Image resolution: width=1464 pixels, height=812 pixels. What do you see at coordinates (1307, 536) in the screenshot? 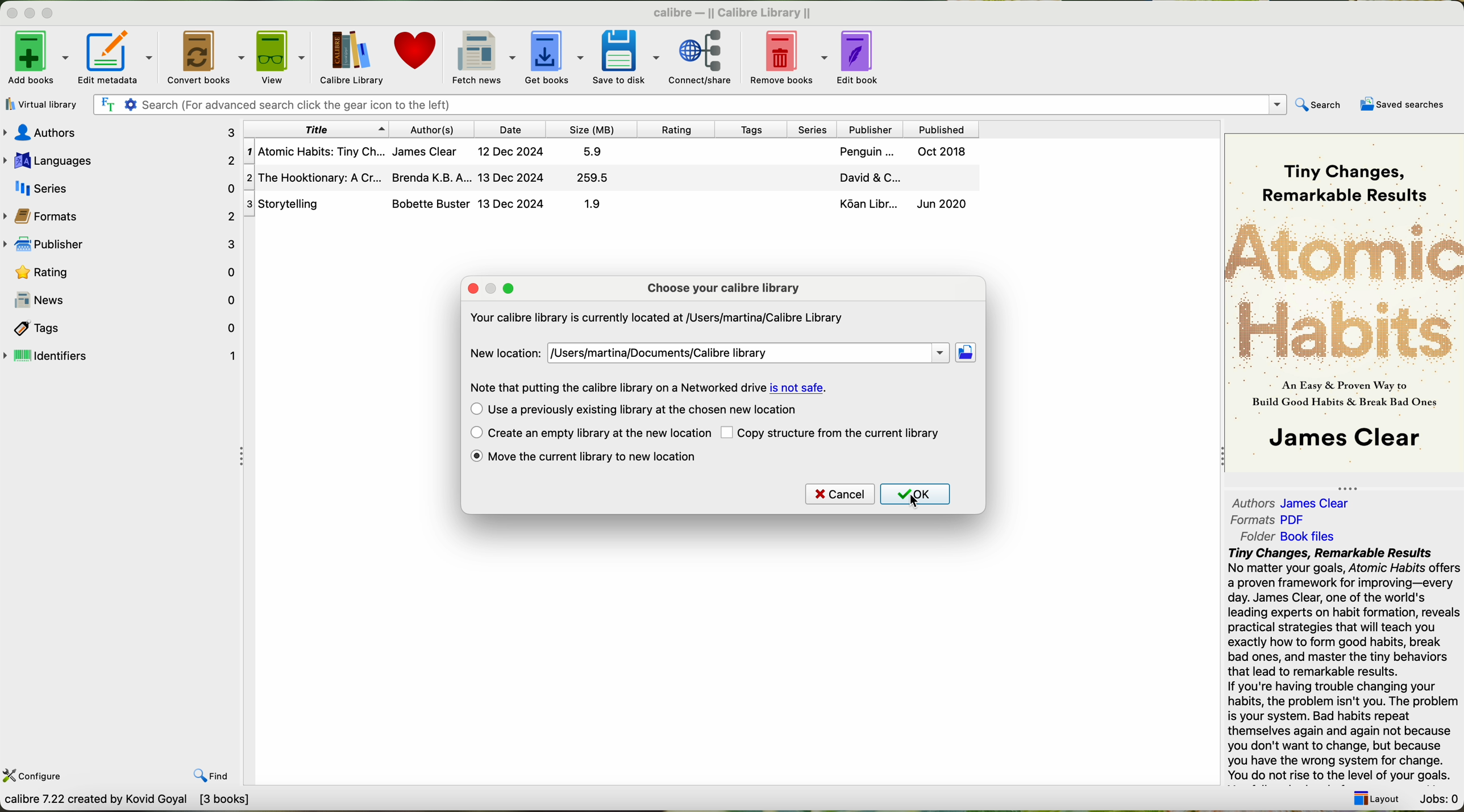
I see `Book file` at bounding box center [1307, 536].